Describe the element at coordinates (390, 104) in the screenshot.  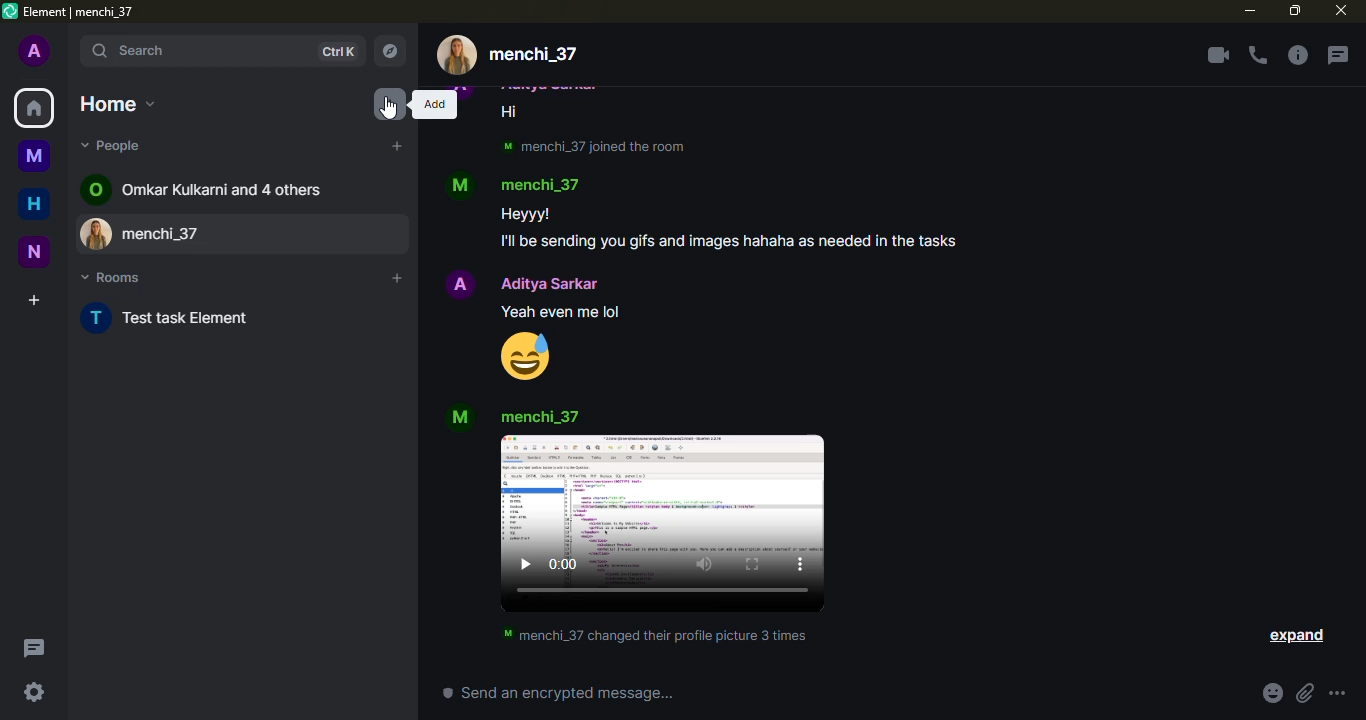
I see `add` at that location.